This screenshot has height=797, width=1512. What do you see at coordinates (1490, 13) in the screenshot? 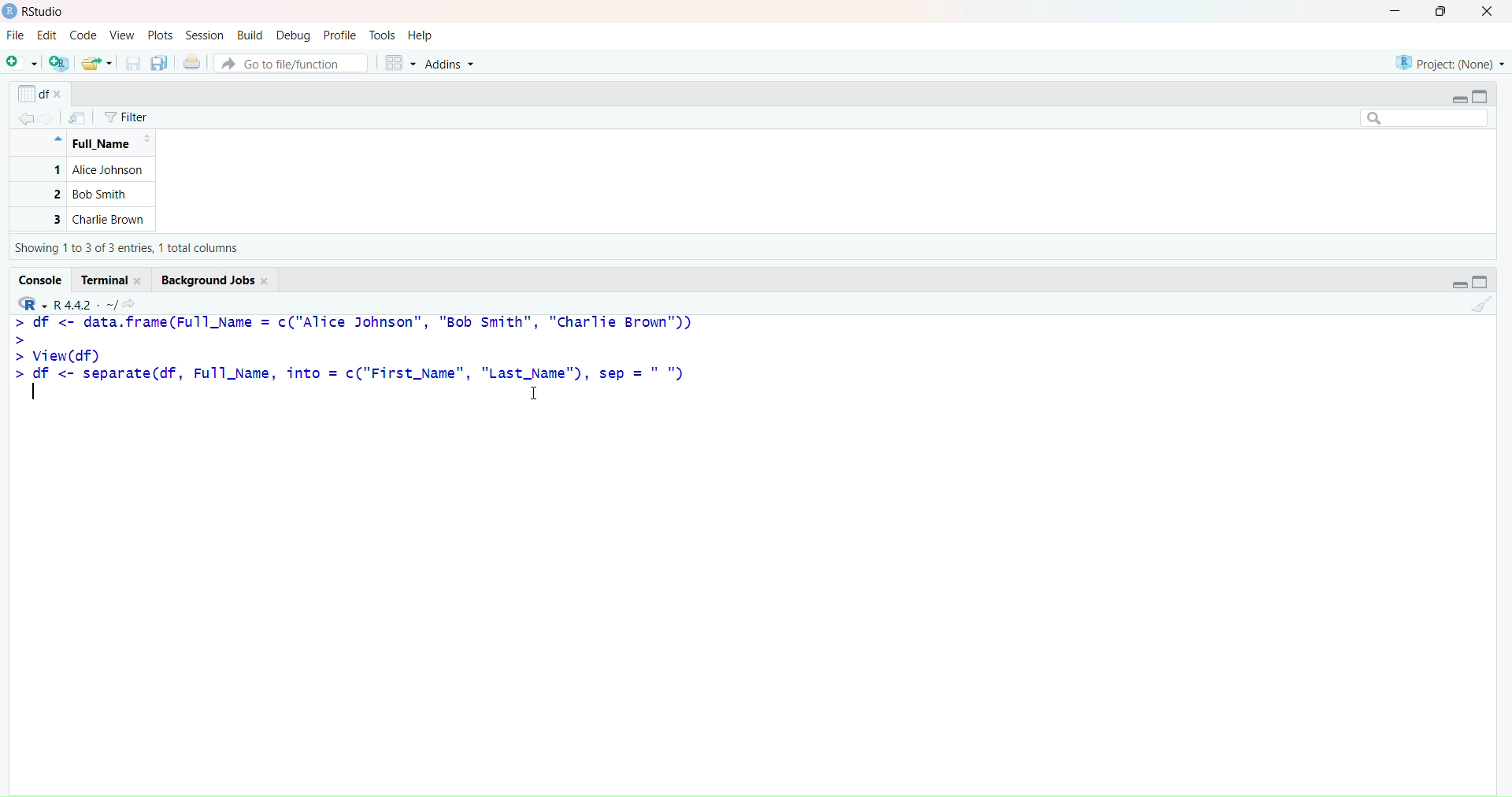
I see `Close` at bounding box center [1490, 13].